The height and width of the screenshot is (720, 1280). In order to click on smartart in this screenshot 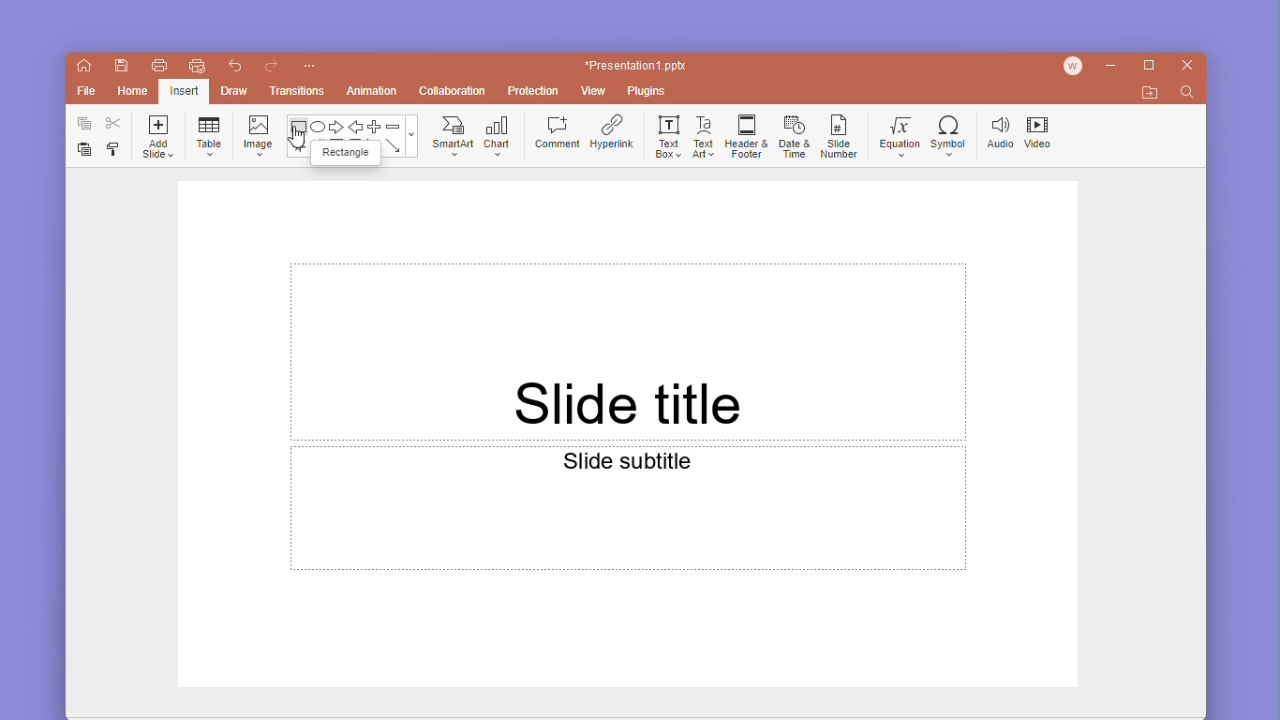, I will do `click(454, 135)`.